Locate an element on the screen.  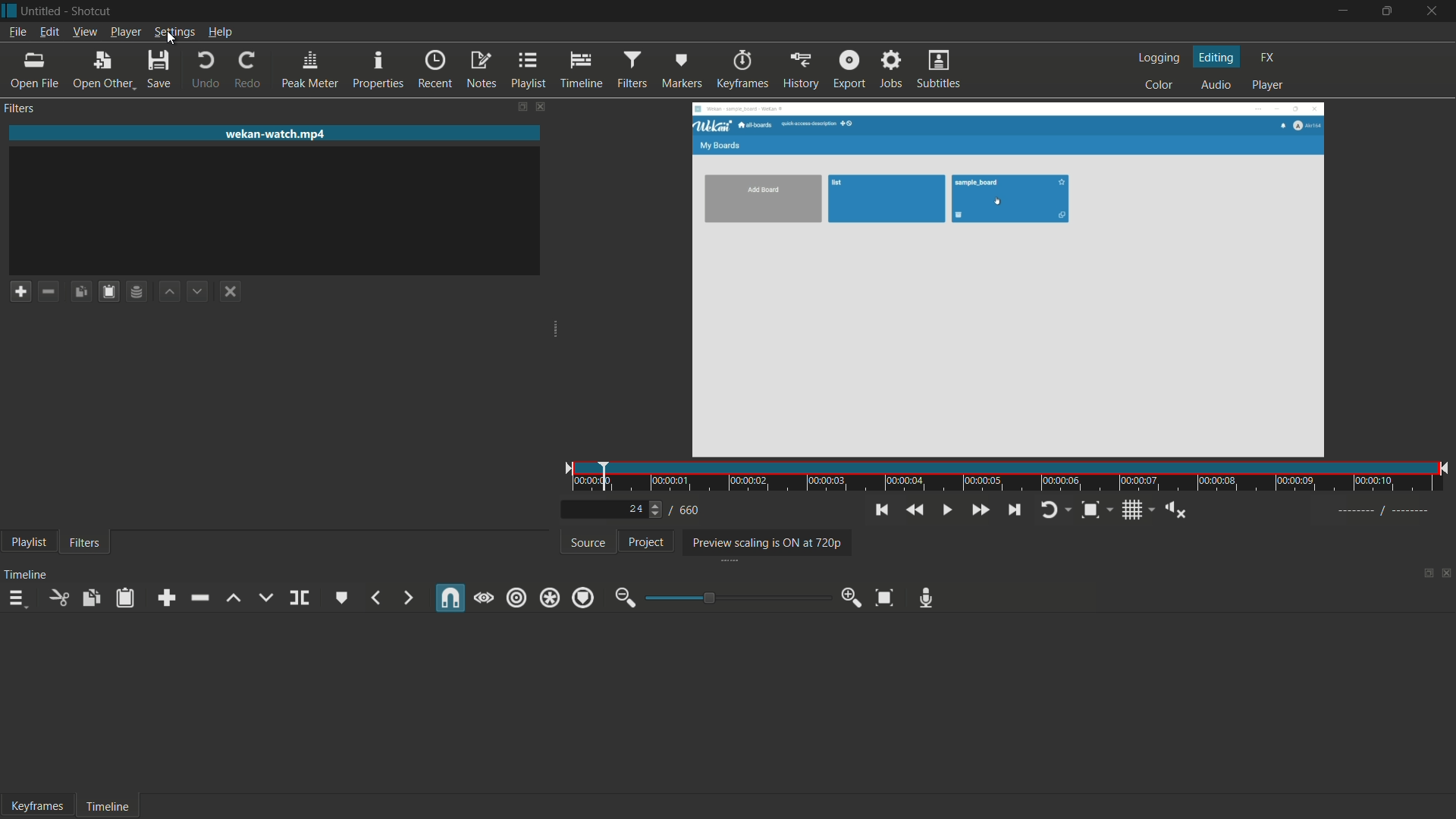
zoom in is located at coordinates (852, 598).